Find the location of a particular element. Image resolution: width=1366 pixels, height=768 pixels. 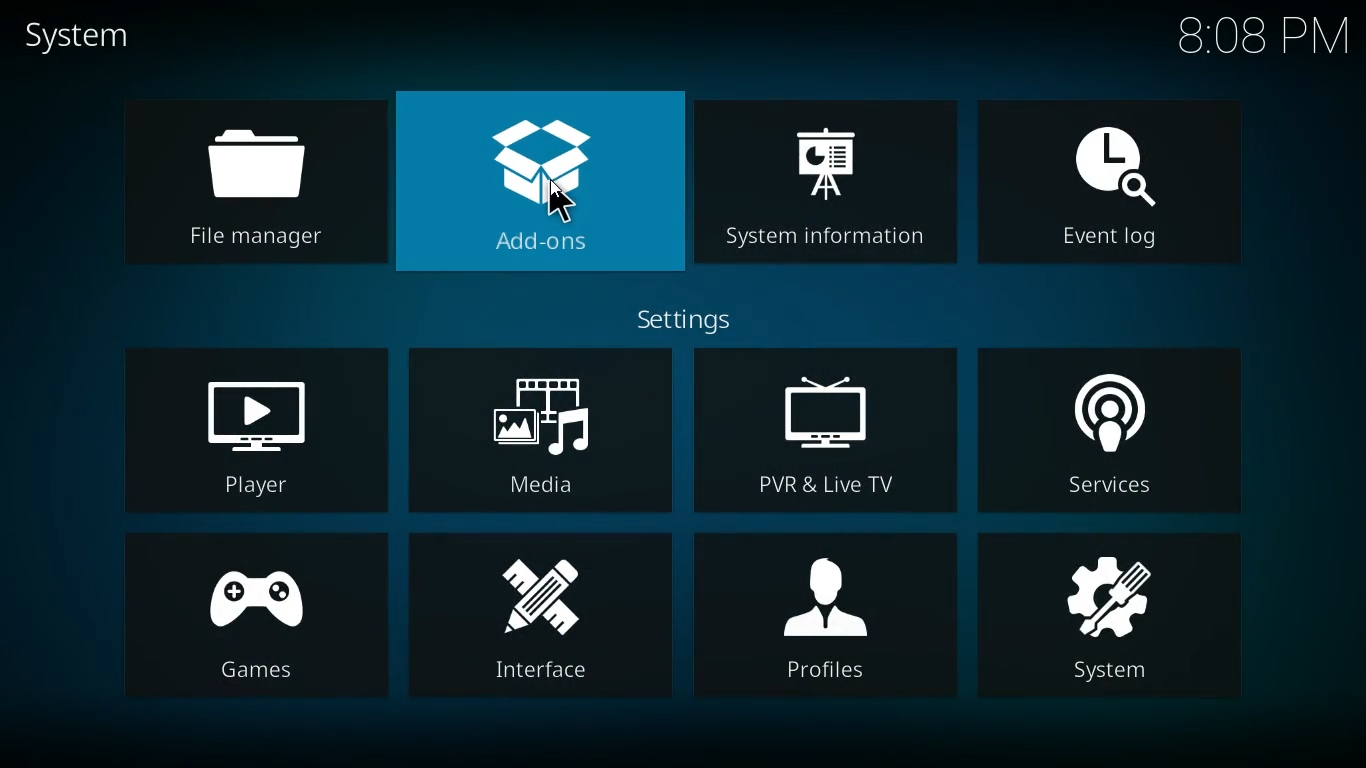

pvr & live tv is located at coordinates (829, 431).